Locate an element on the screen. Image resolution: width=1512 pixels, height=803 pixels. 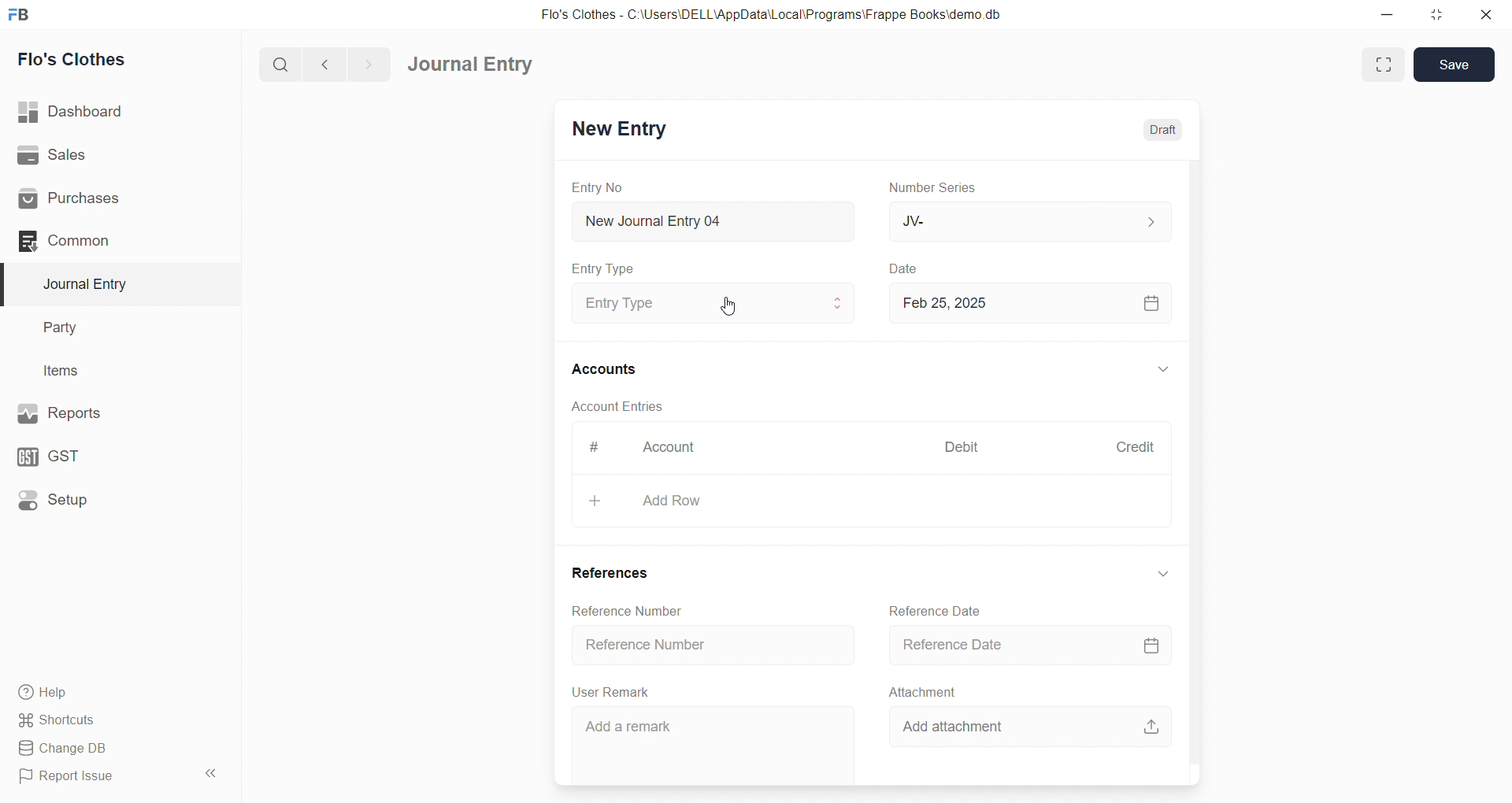
Entry No. is located at coordinates (597, 187).